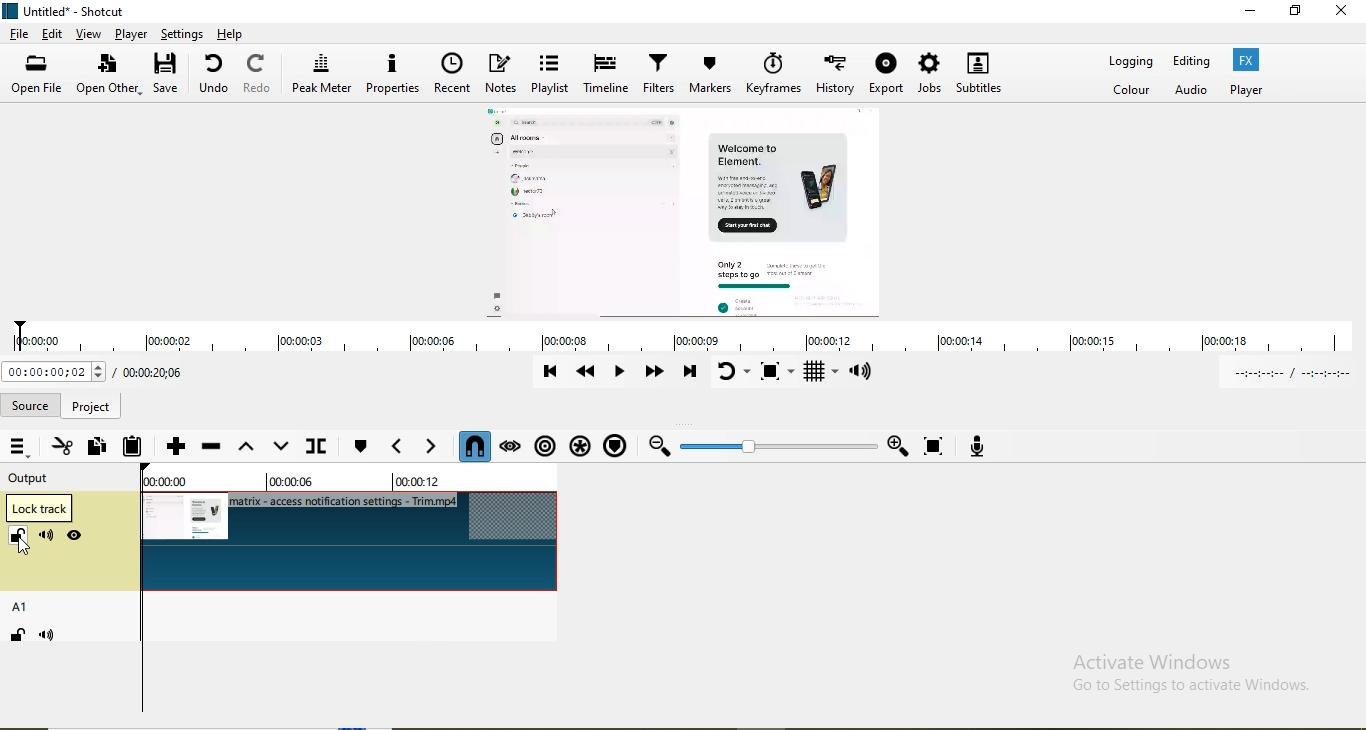 The height and width of the screenshot is (730, 1366). What do you see at coordinates (89, 35) in the screenshot?
I see `View` at bounding box center [89, 35].